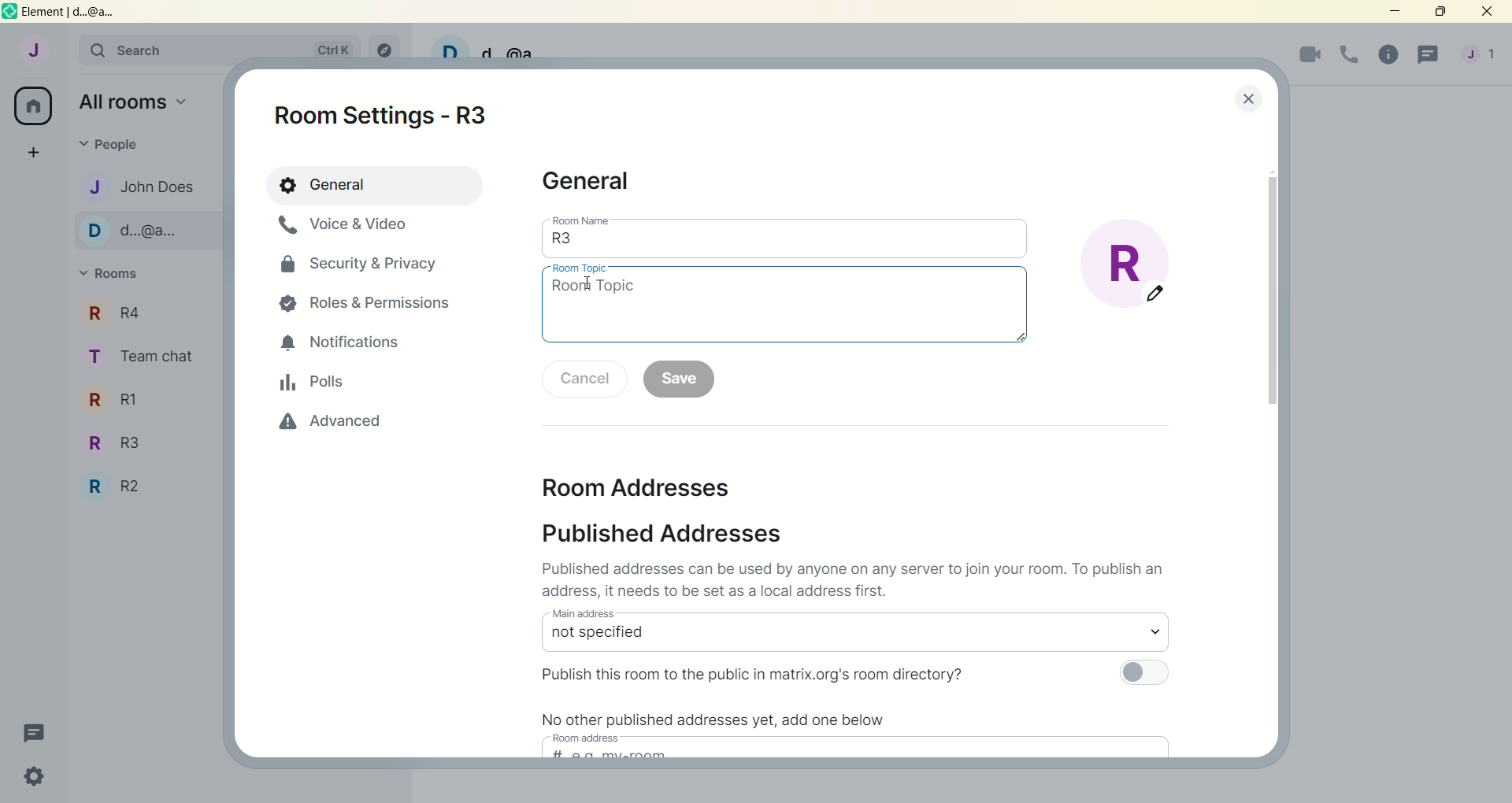 The height and width of the screenshot is (803, 1512). I want to click on Published addresses can be used by anyone on any server to join your room. To publish an address it needs to be set as a local address first, so click(861, 579).